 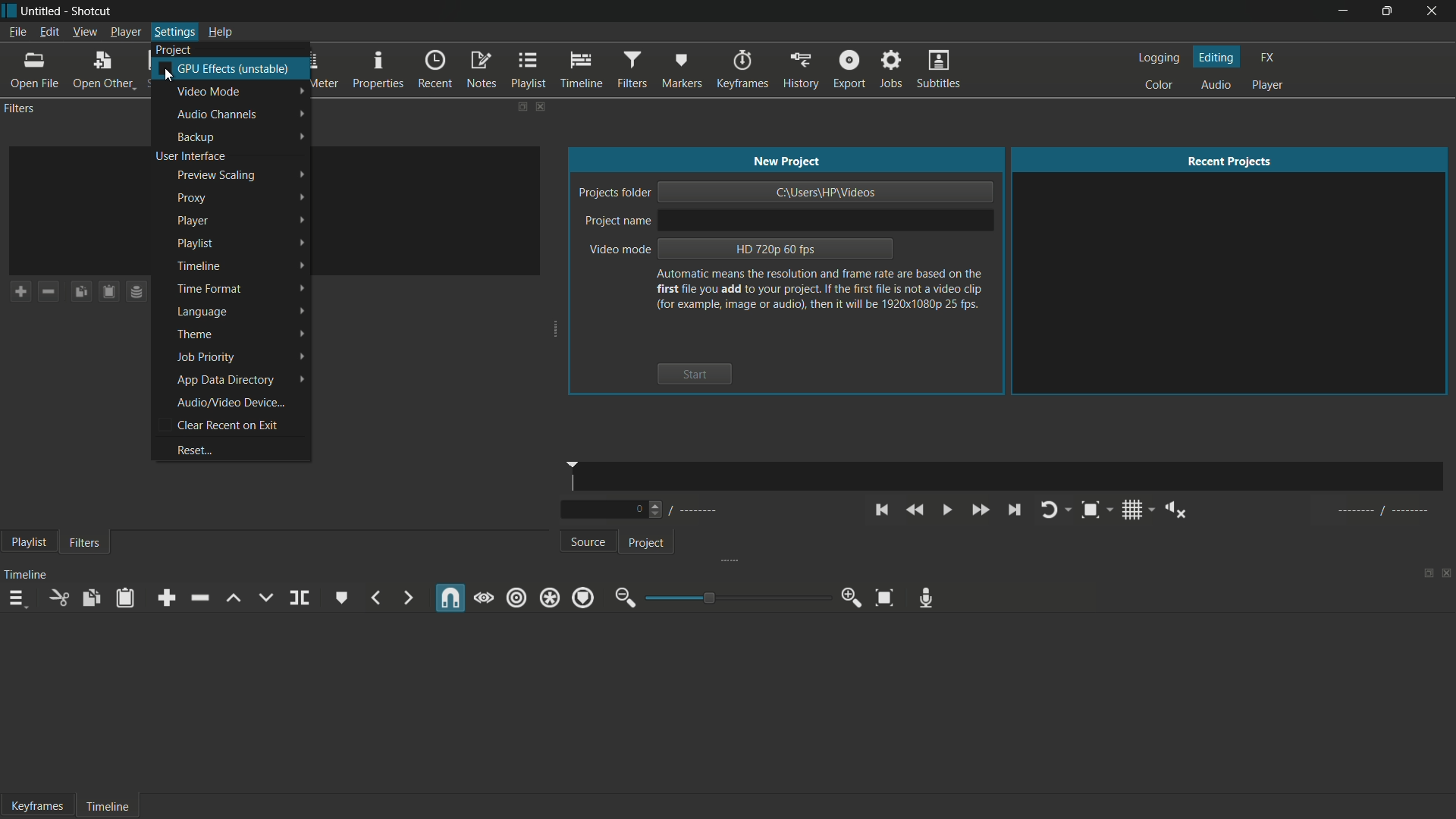 What do you see at coordinates (1268, 85) in the screenshot?
I see `player` at bounding box center [1268, 85].